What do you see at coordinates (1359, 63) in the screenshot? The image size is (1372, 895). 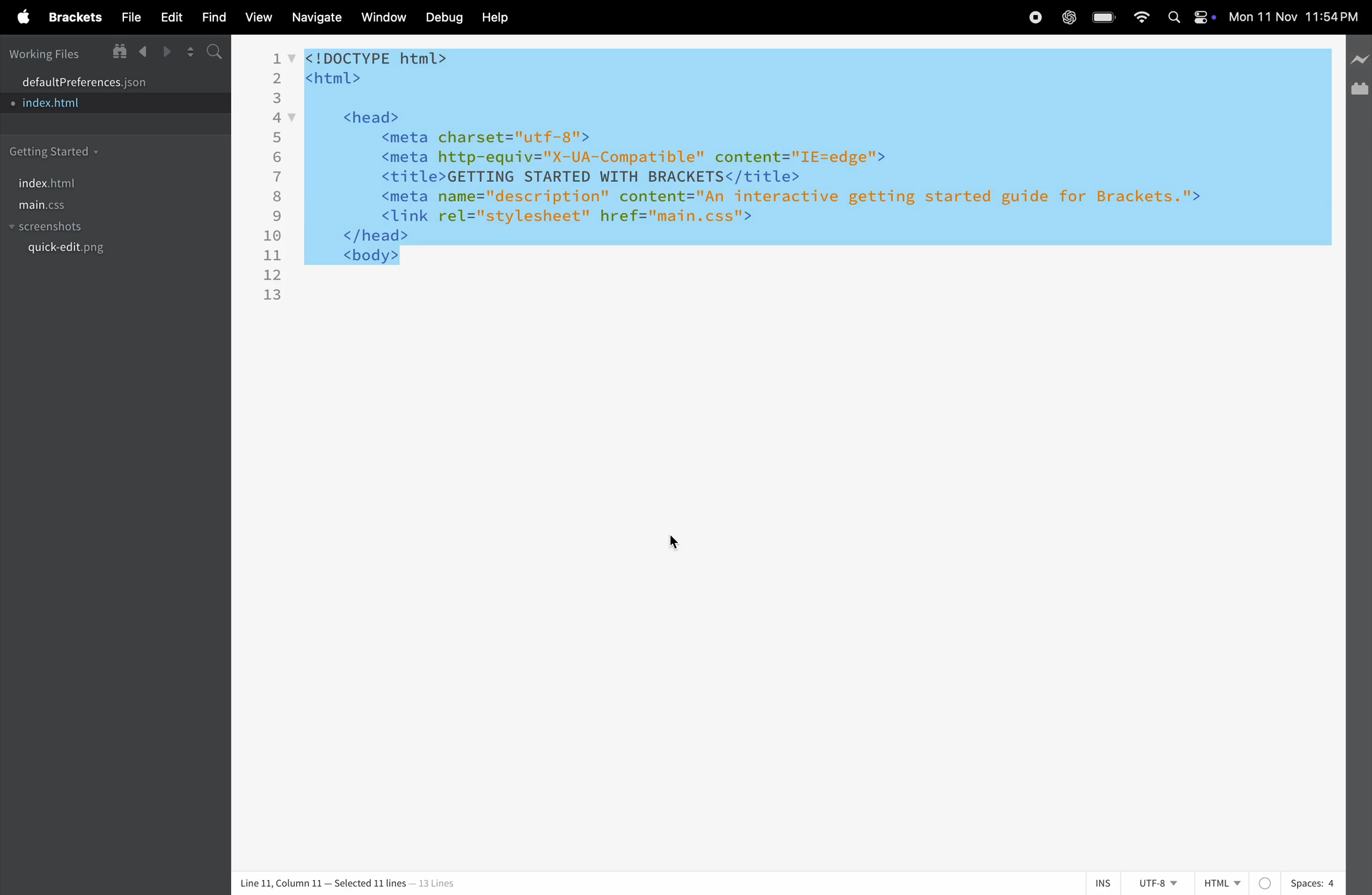 I see `line preview` at bounding box center [1359, 63].